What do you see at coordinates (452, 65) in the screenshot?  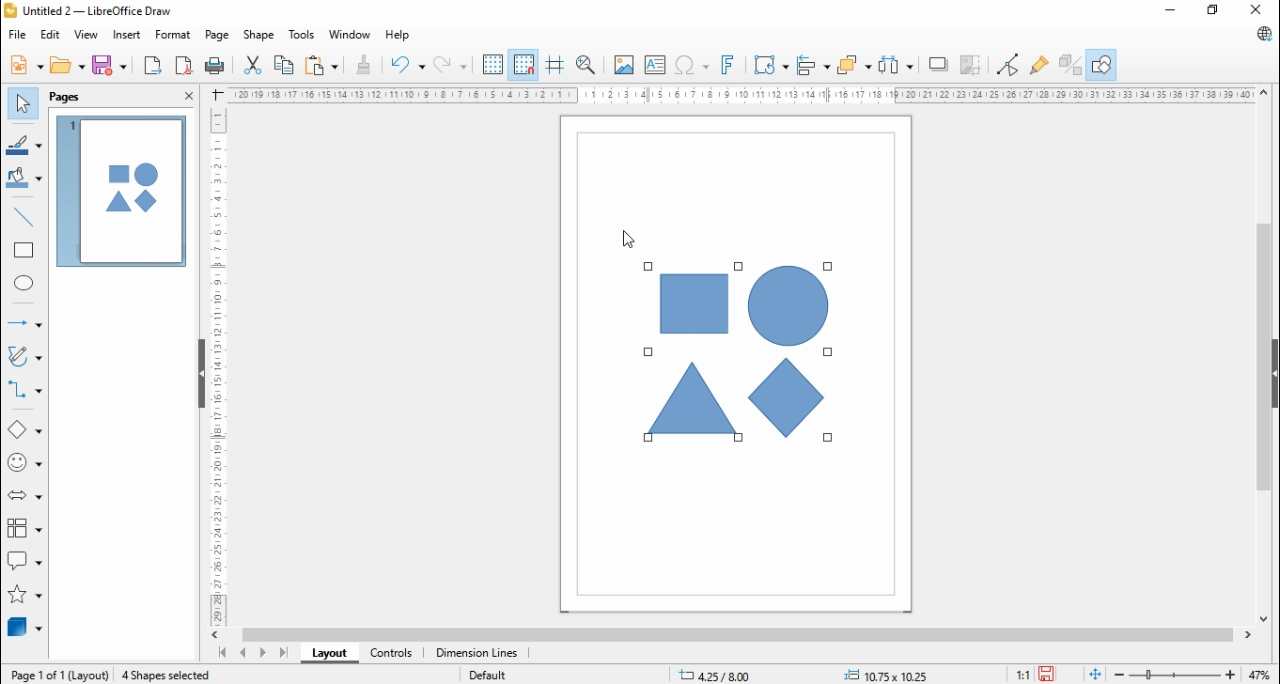 I see `redo` at bounding box center [452, 65].